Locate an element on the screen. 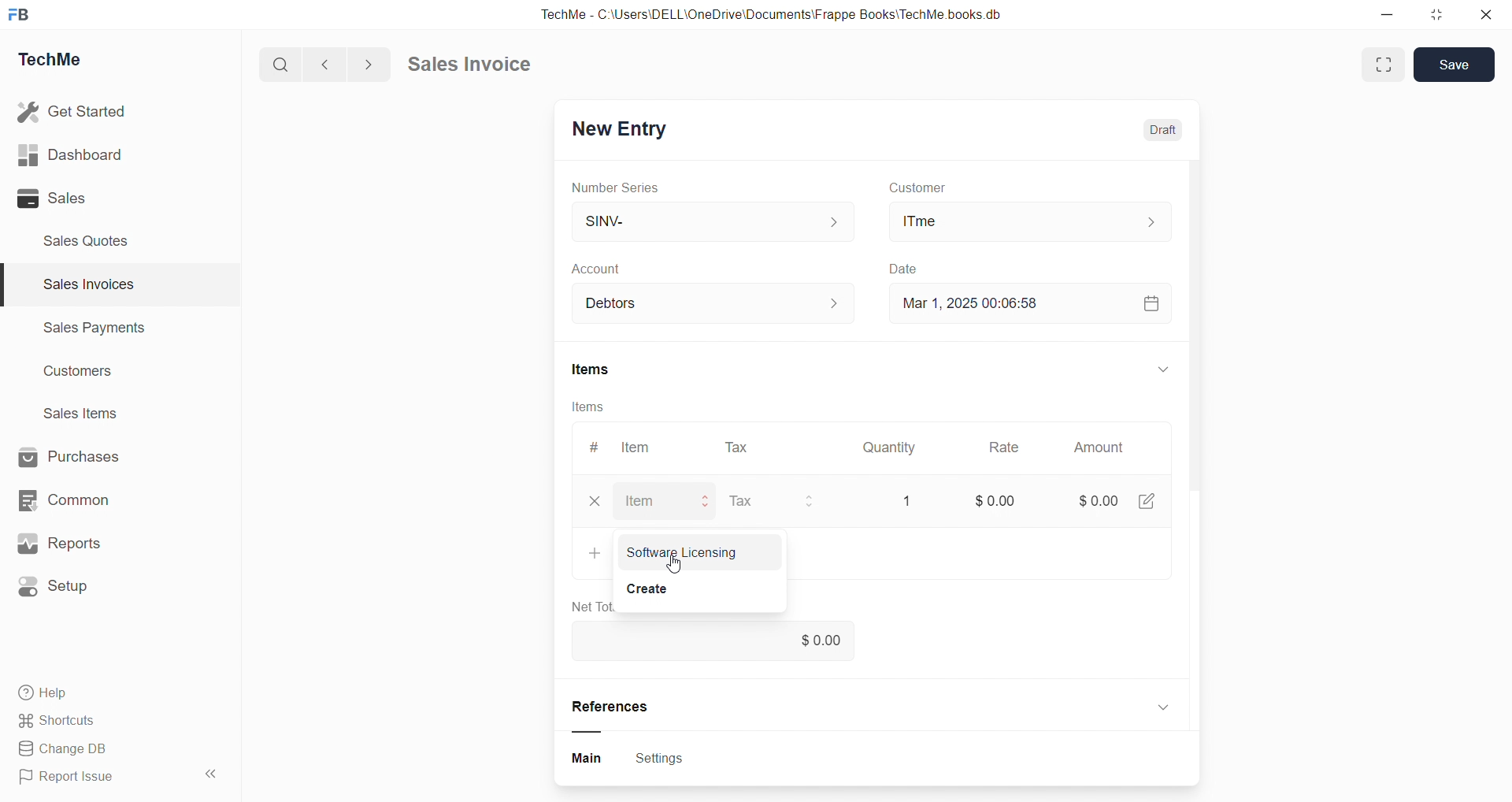 This screenshot has width=1512, height=802.  Report Issue is located at coordinates (73, 779).